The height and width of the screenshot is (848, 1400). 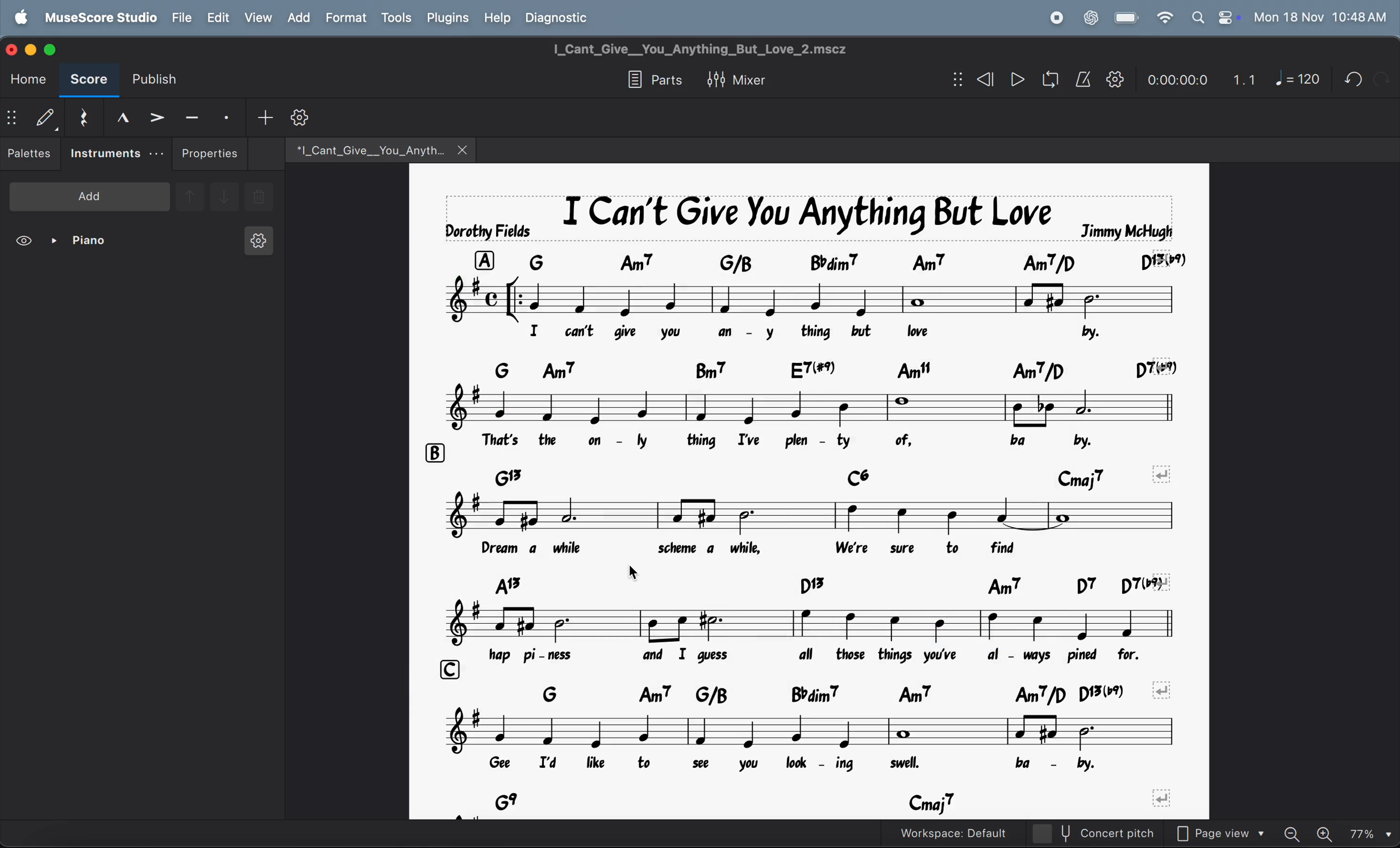 What do you see at coordinates (831, 365) in the screenshot?
I see `chord symbols` at bounding box center [831, 365].